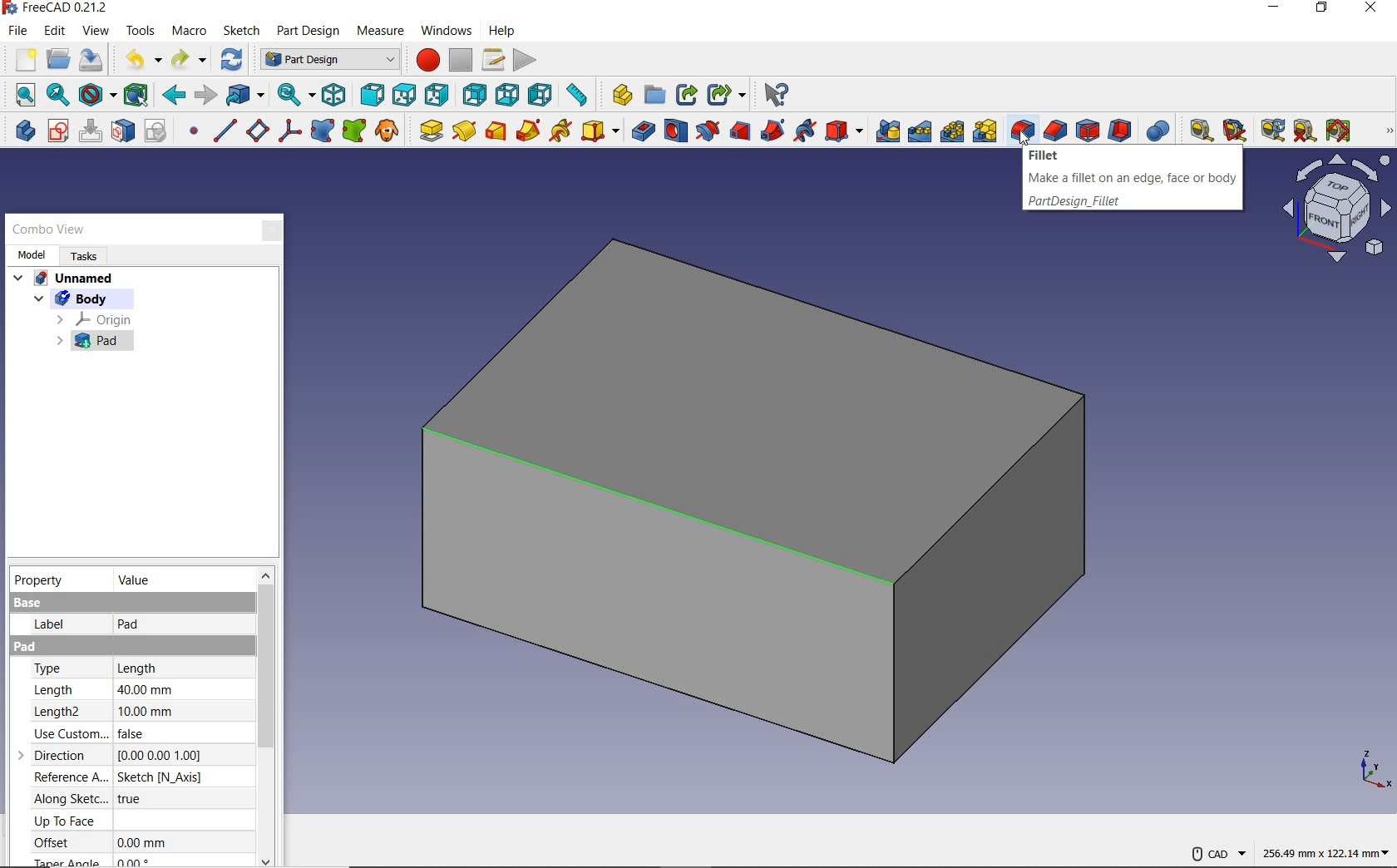  I want to click on create multitransform, so click(984, 132).